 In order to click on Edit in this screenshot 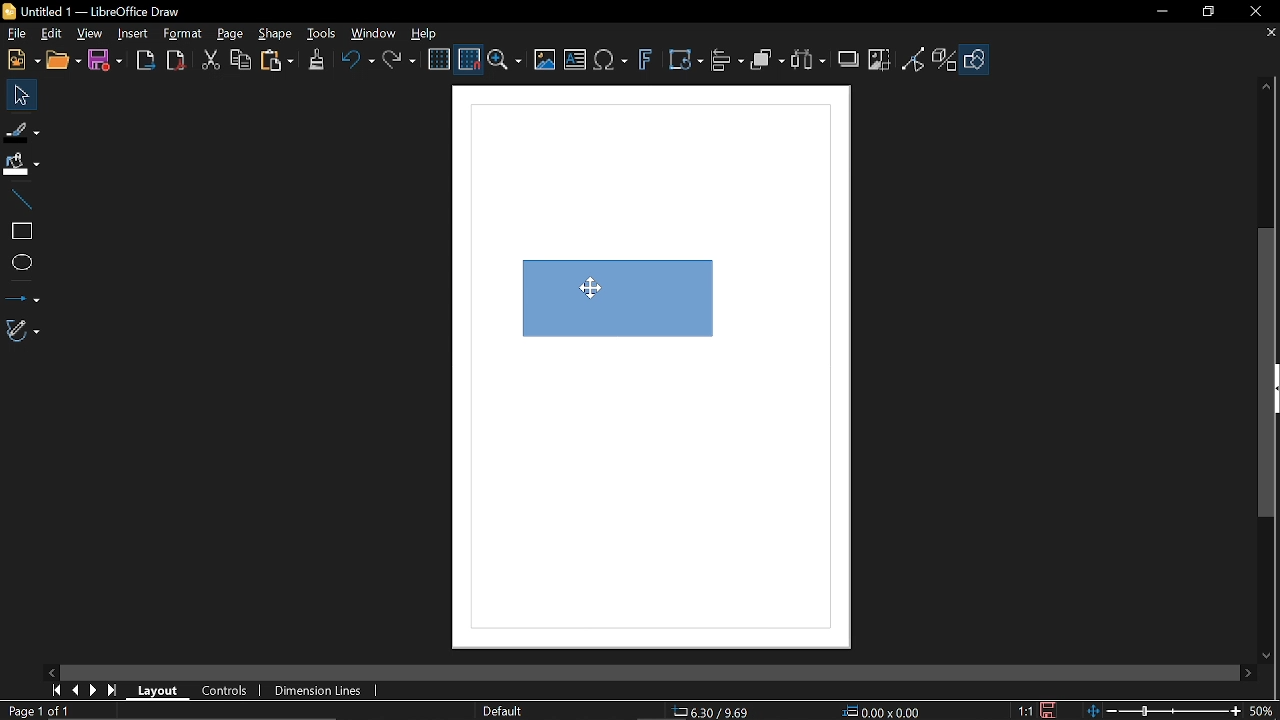, I will do `click(50, 34)`.